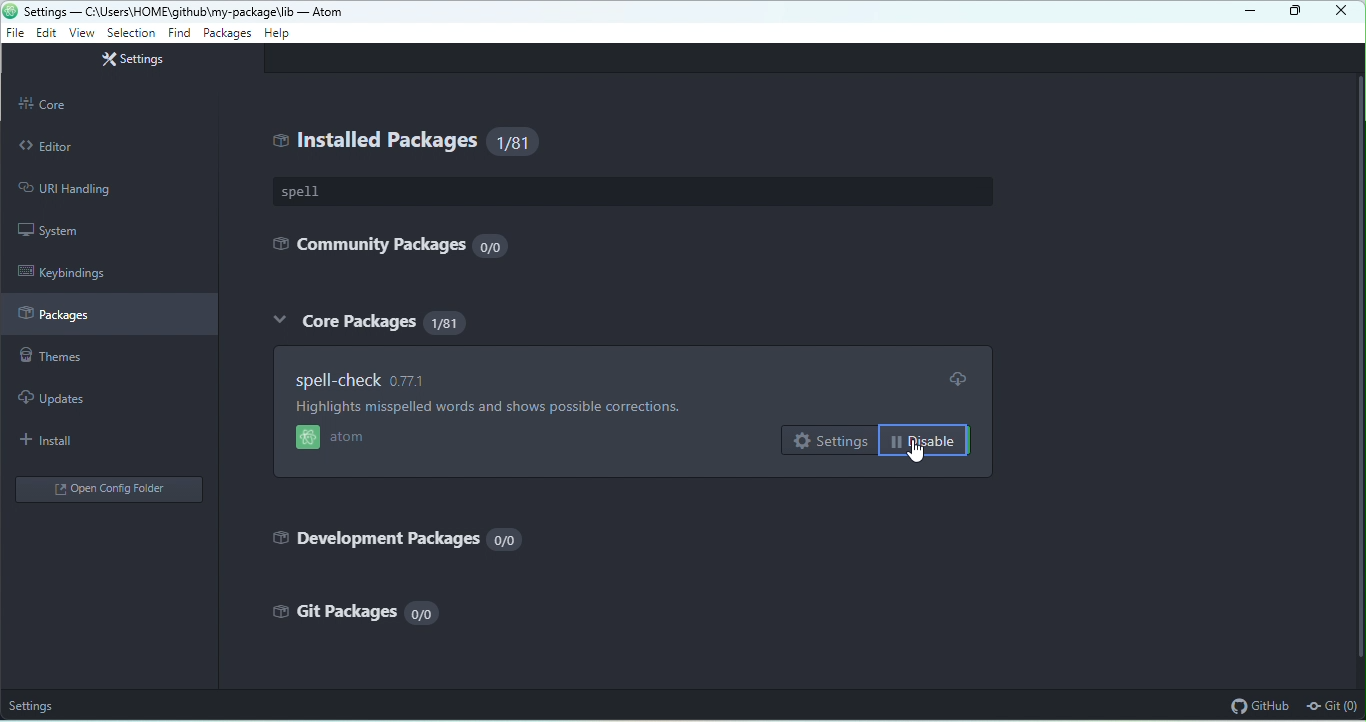 The image size is (1366, 722). Describe the element at coordinates (429, 613) in the screenshot. I see `0/0` at that location.